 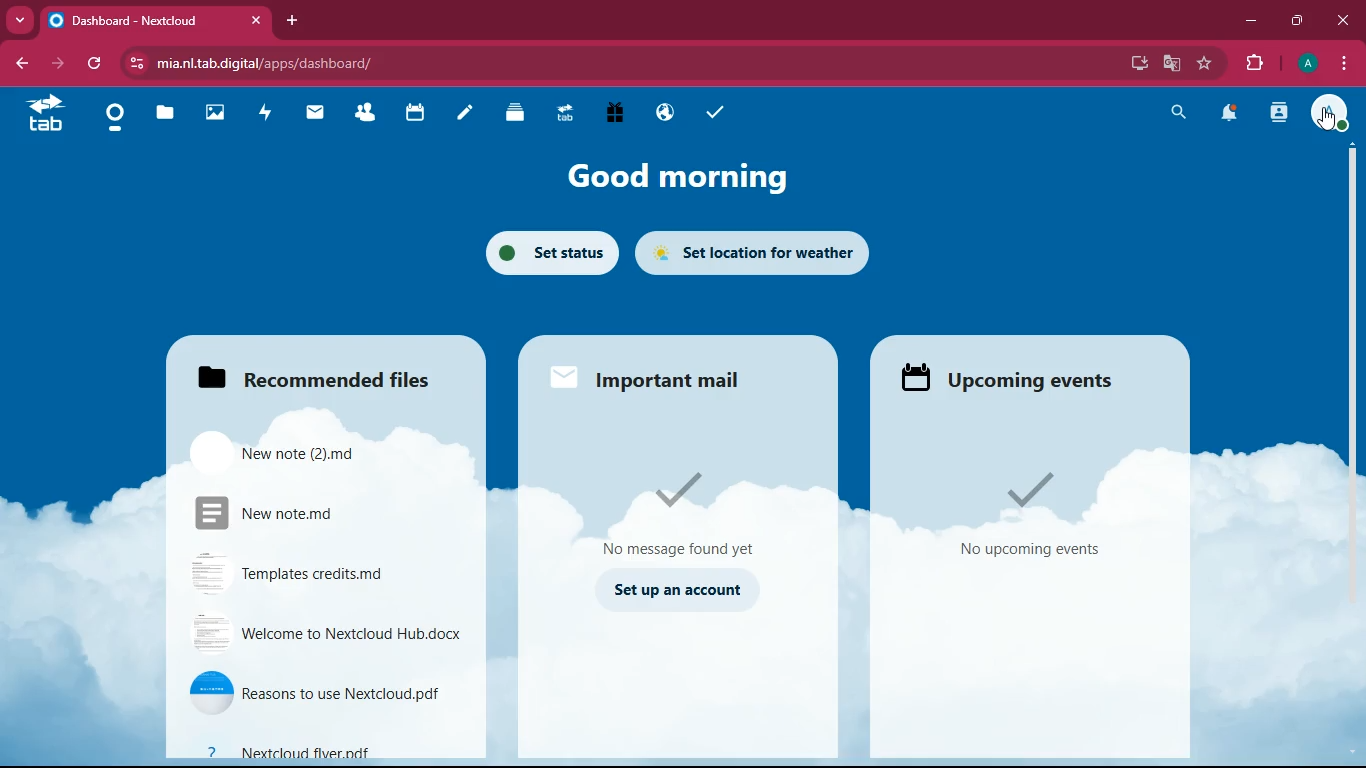 What do you see at coordinates (44, 113) in the screenshot?
I see `tab` at bounding box center [44, 113].